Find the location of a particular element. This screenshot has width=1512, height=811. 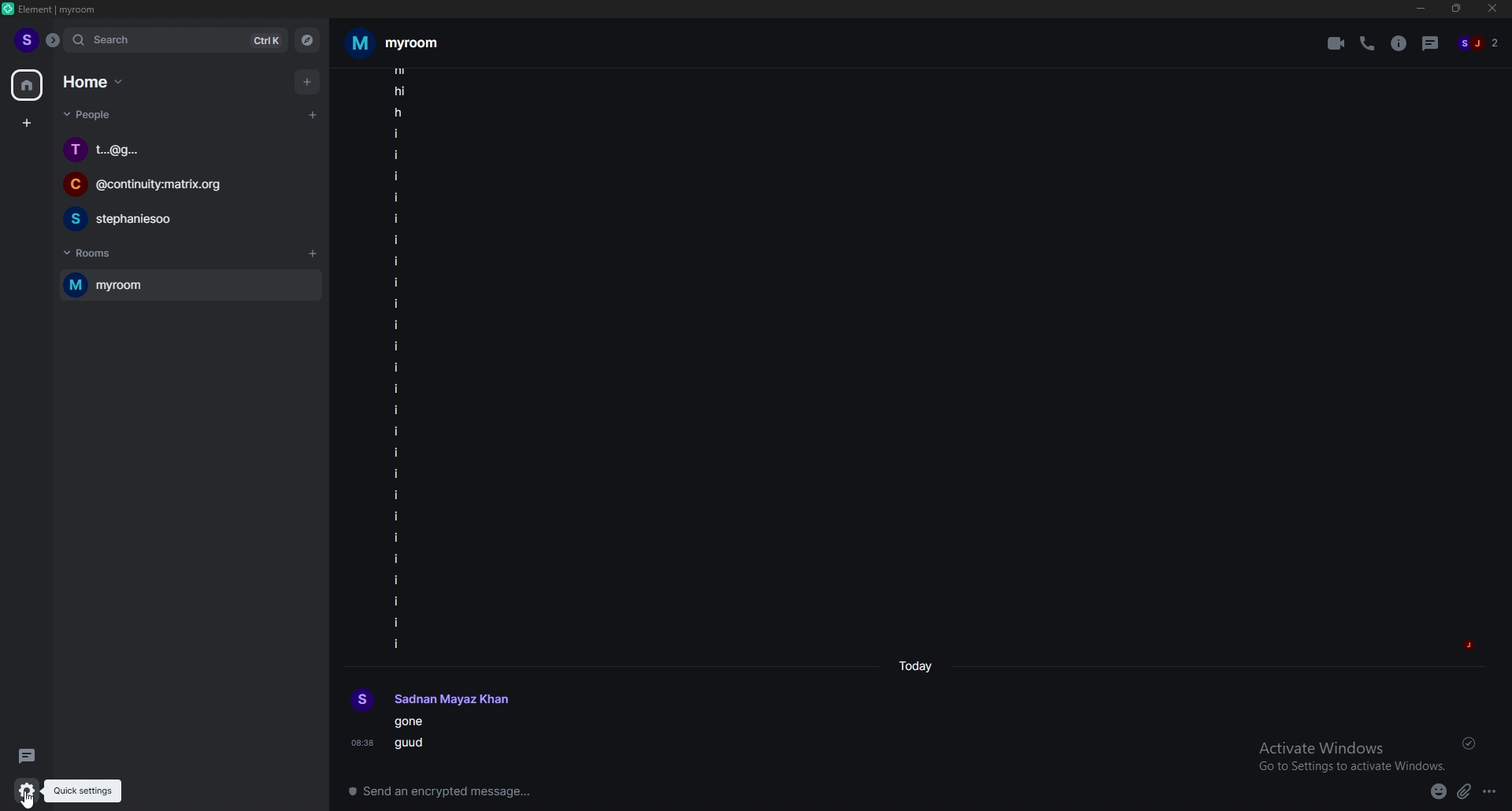

thread is located at coordinates (25, 756).